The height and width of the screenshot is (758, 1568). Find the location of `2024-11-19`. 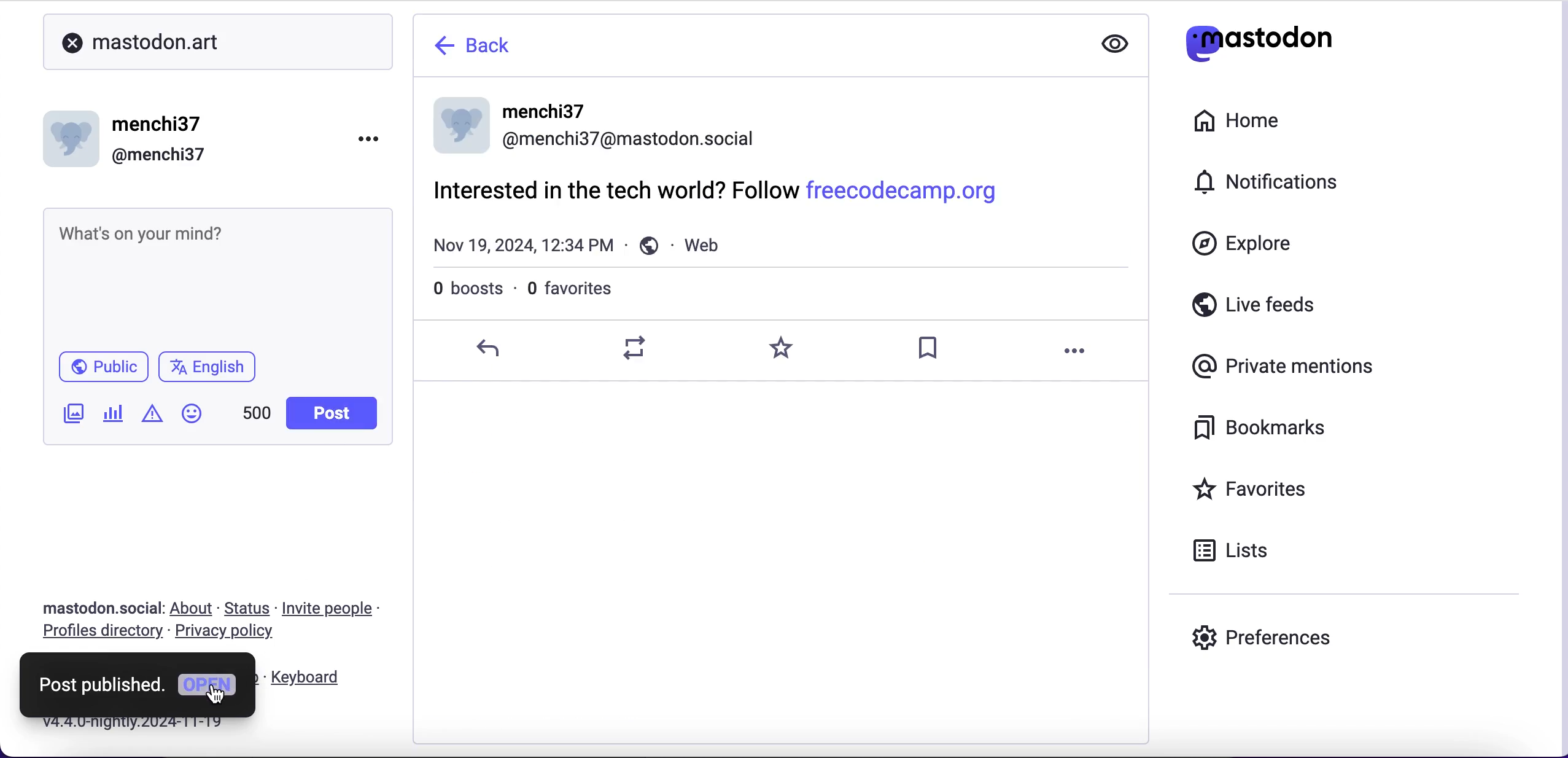

2024-11-19 is located at coordinates (149, 725).